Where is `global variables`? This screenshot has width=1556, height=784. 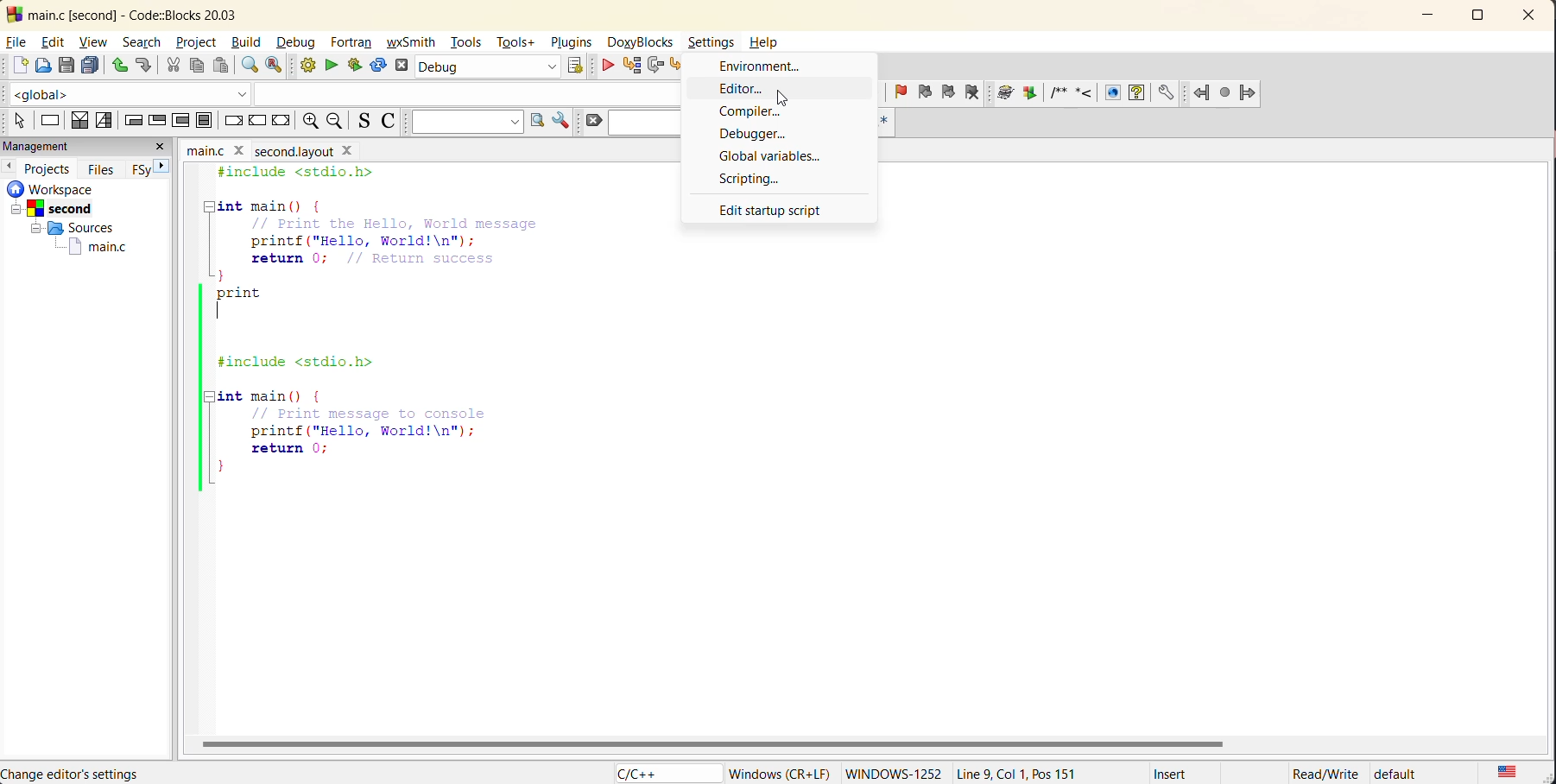 global variables is located at coordinates (774, 155).